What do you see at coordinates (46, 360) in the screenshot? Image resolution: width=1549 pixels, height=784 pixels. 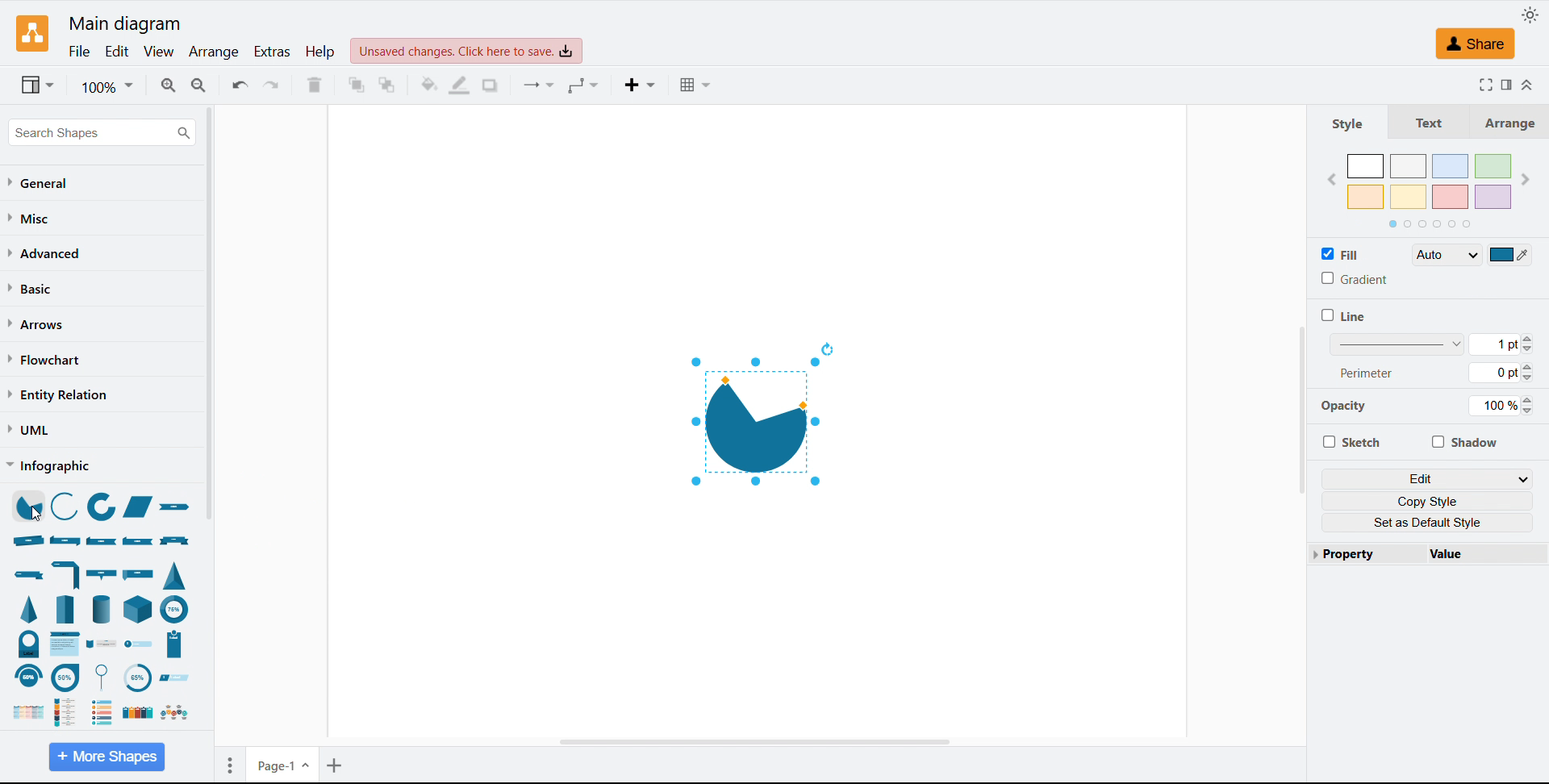 I see `Flow chart` at bounding box center [46, 360].